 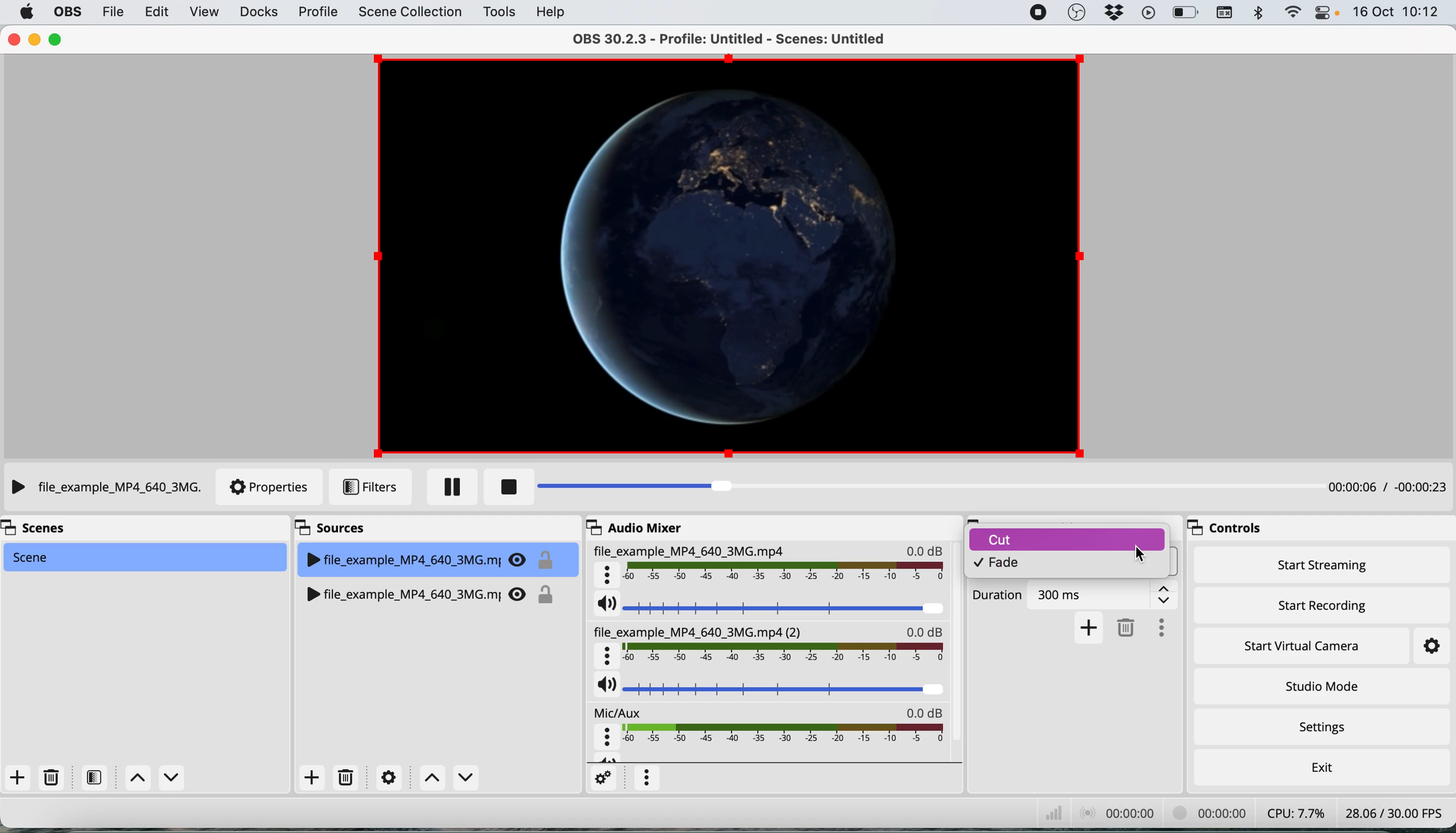 What do you see at coordinates (1323, 769) in the screenshot?
I see `exit` at bounding box center [1323, 769].